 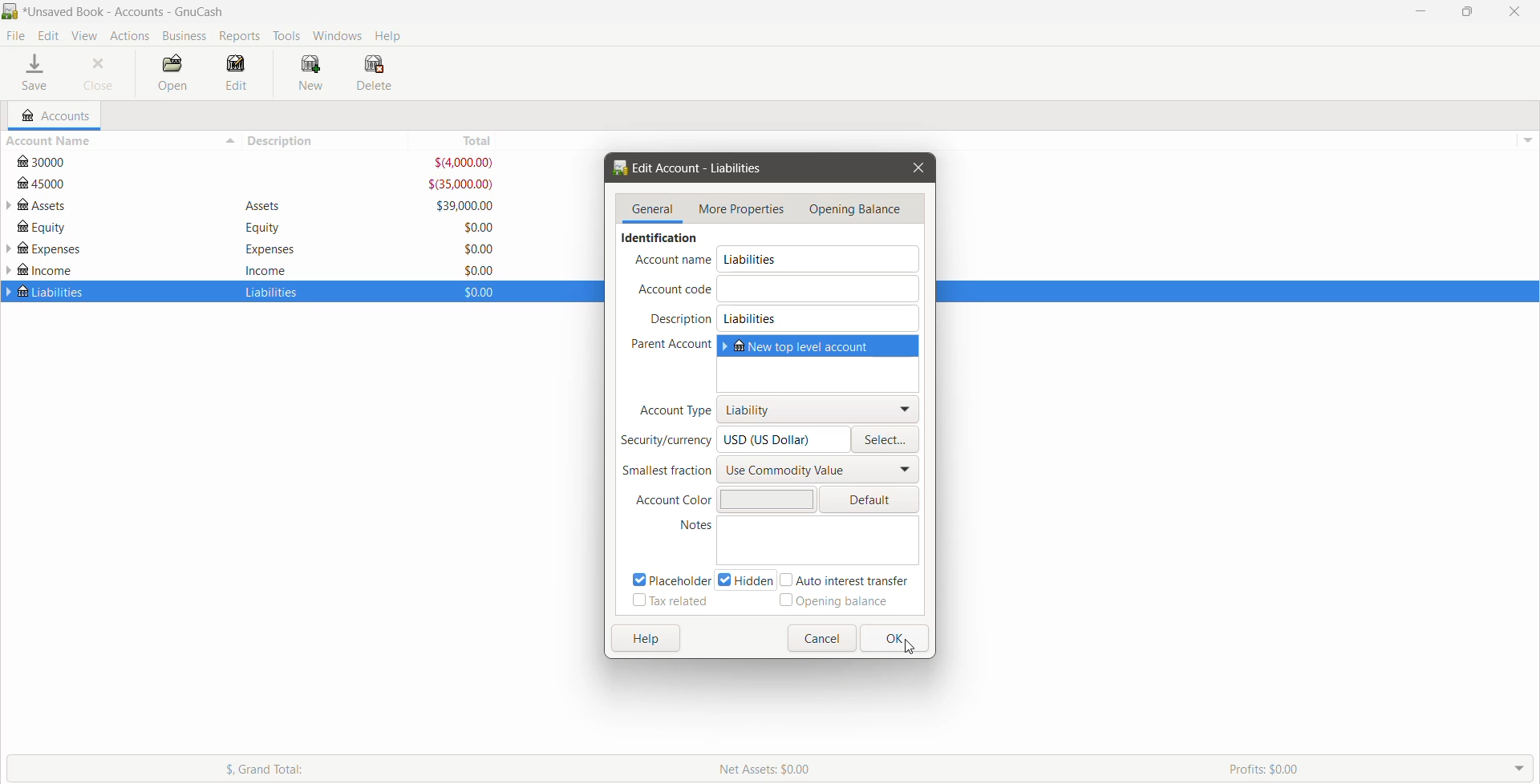 What do you see at coordinates (10, 270) in the screenshot?
I see `expand subaccounts` at bounding box center [10, 270].